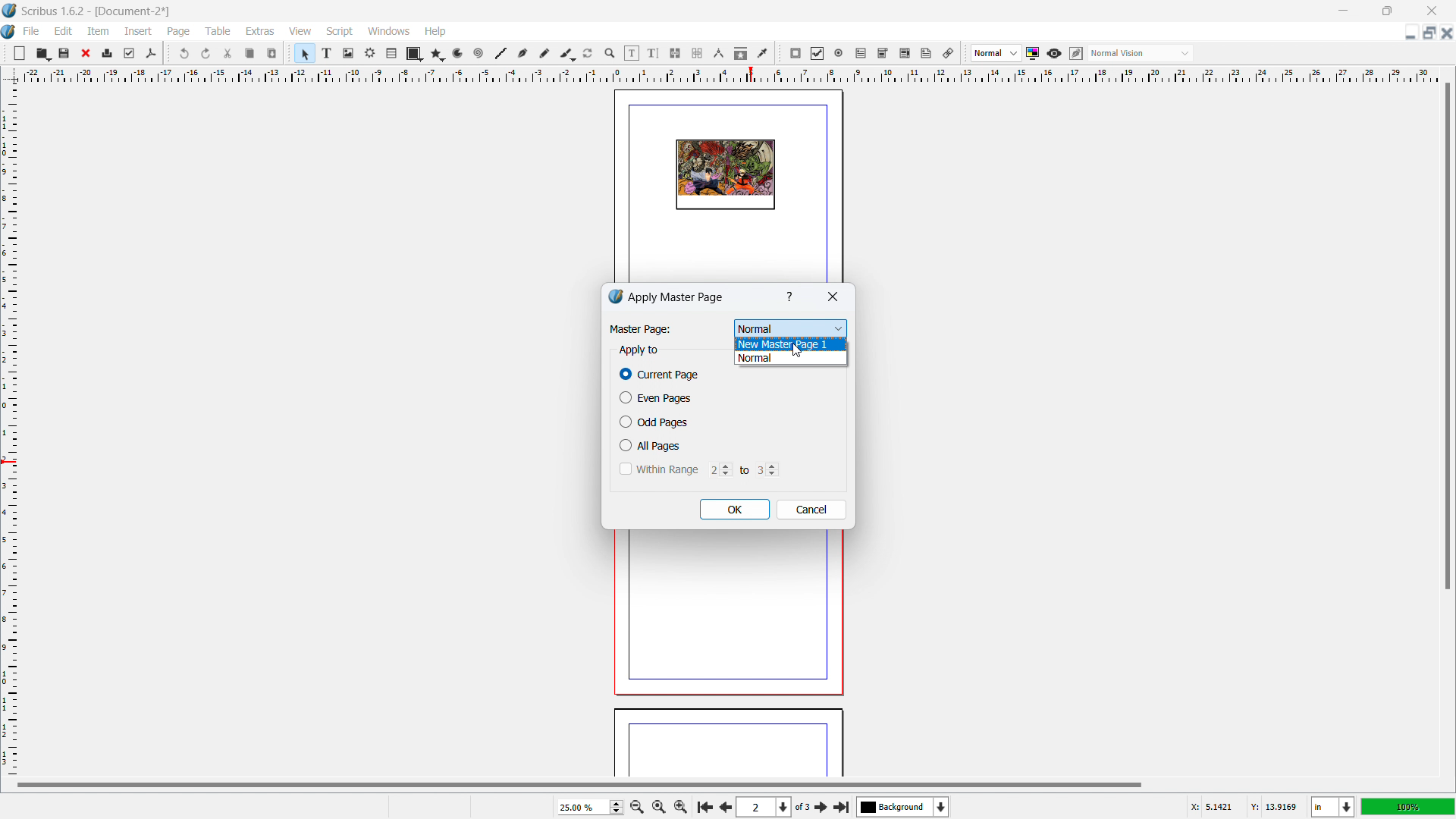 The image size is (1456, 819). I want to click on polygon, so click(438, 54).